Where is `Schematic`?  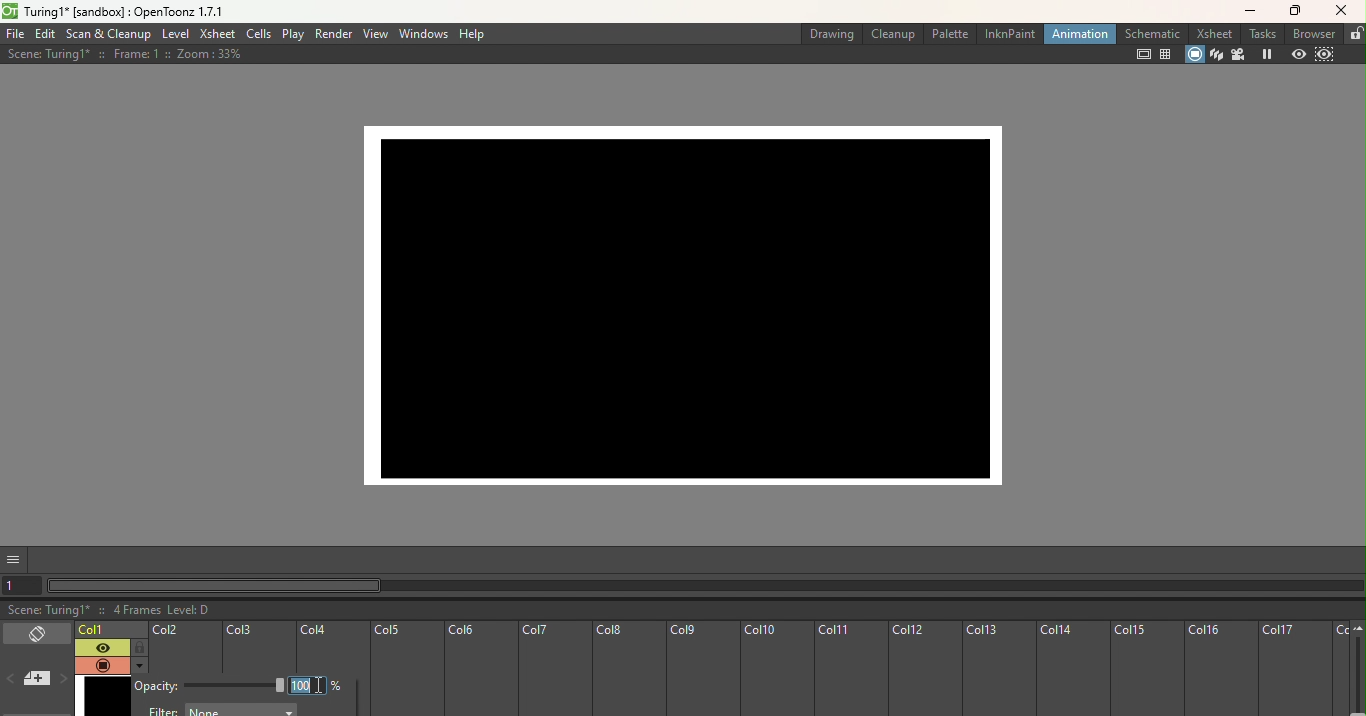 Schematic is located at coordinates (1147, 33).